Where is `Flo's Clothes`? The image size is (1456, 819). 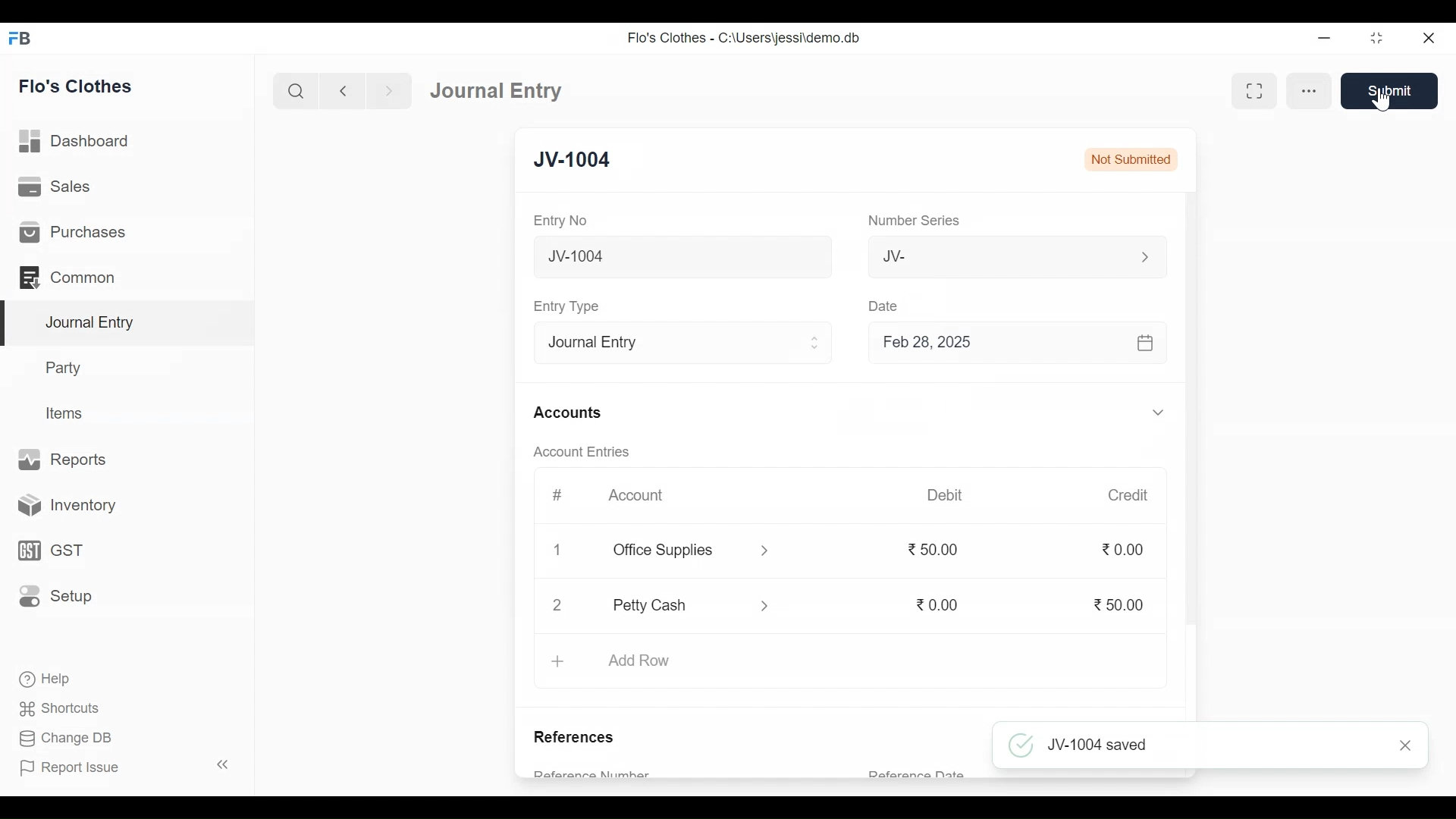
Flo's Clothes is located at coordinates (76, 86).